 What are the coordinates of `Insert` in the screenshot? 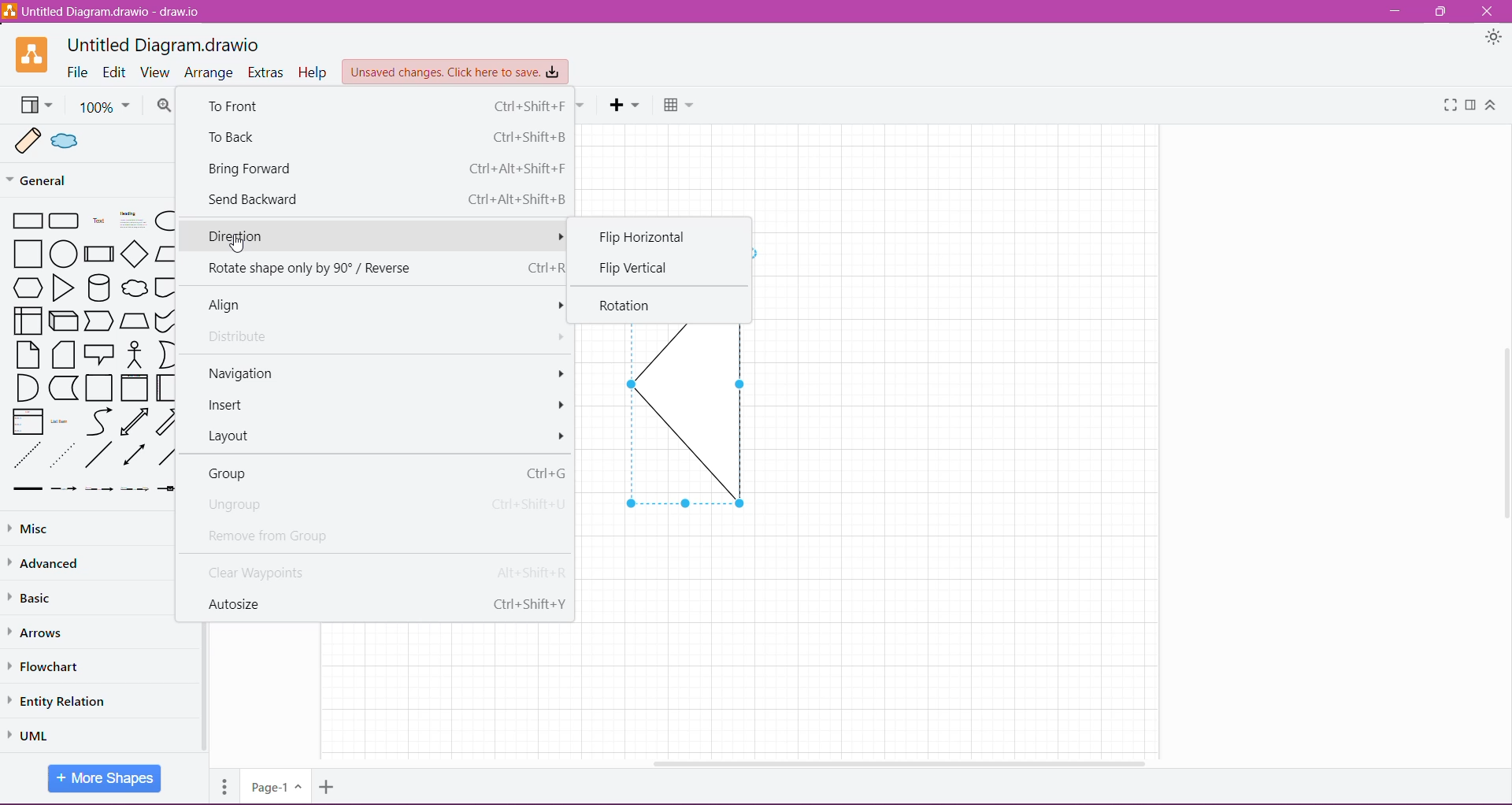 It's located at (625, 106).